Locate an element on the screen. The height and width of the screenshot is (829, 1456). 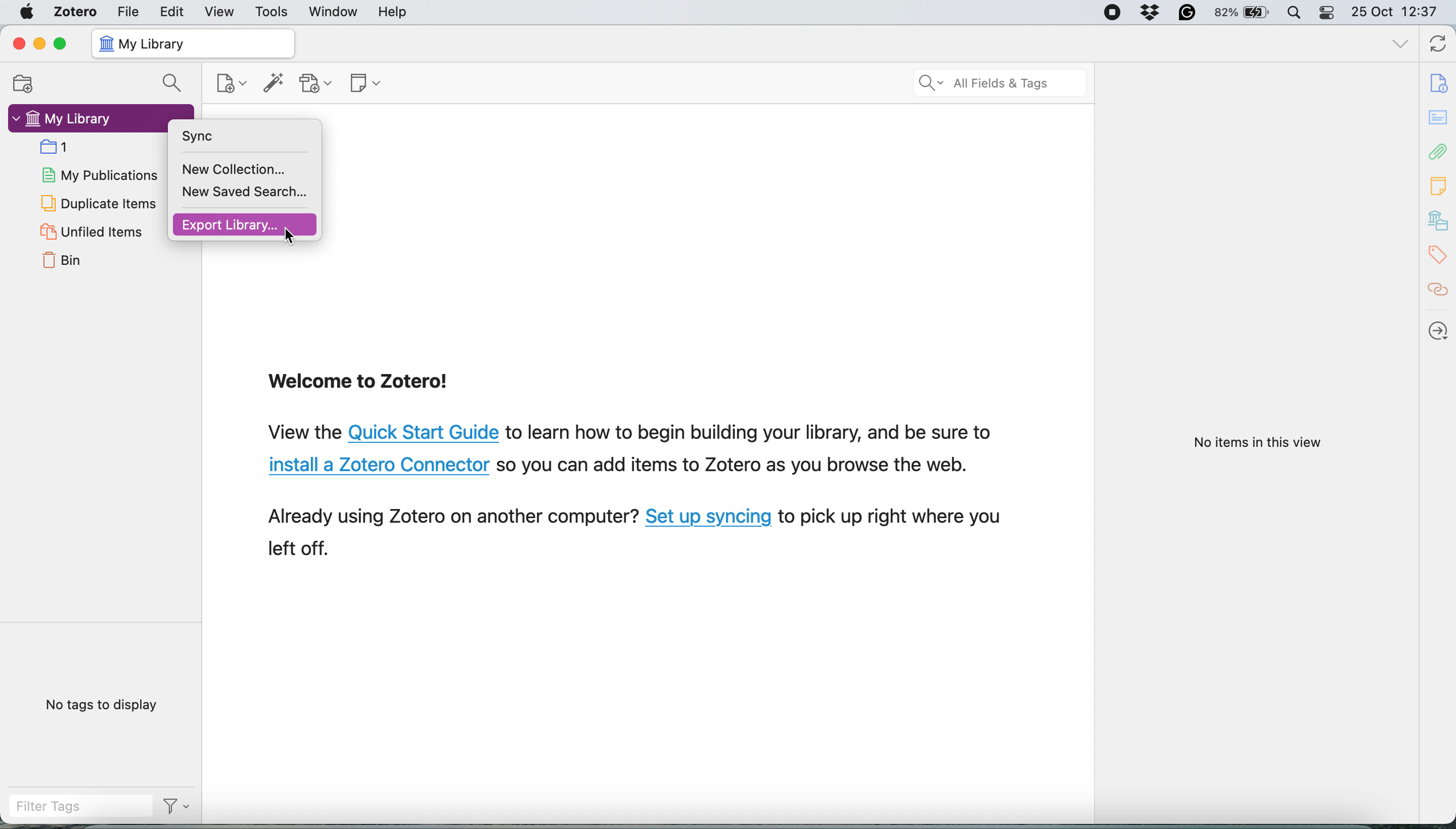
new note is located at coordinates (367, 84).